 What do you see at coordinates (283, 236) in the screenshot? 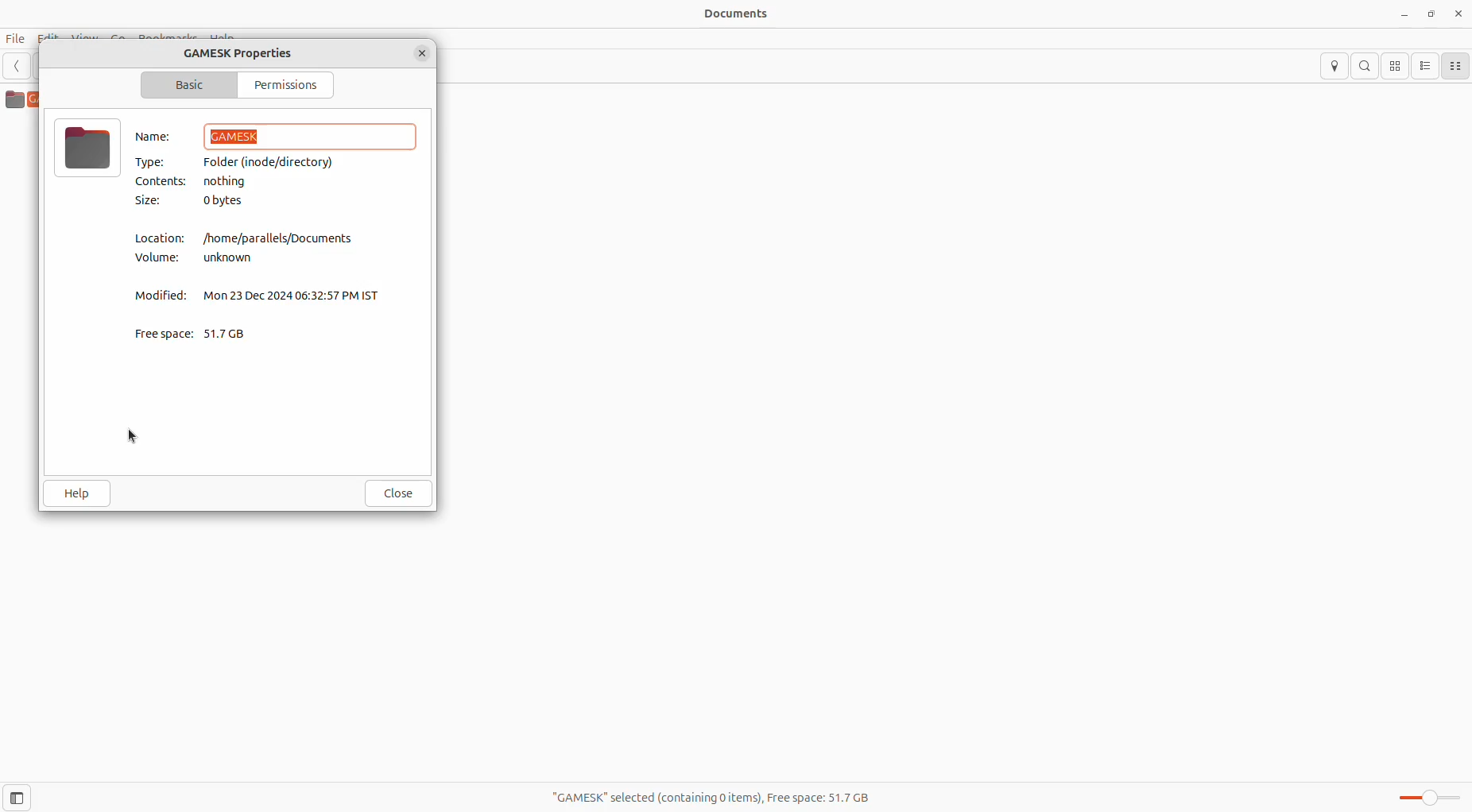
I see `/home/parallels/Documents` at bounding box center [283, 236].